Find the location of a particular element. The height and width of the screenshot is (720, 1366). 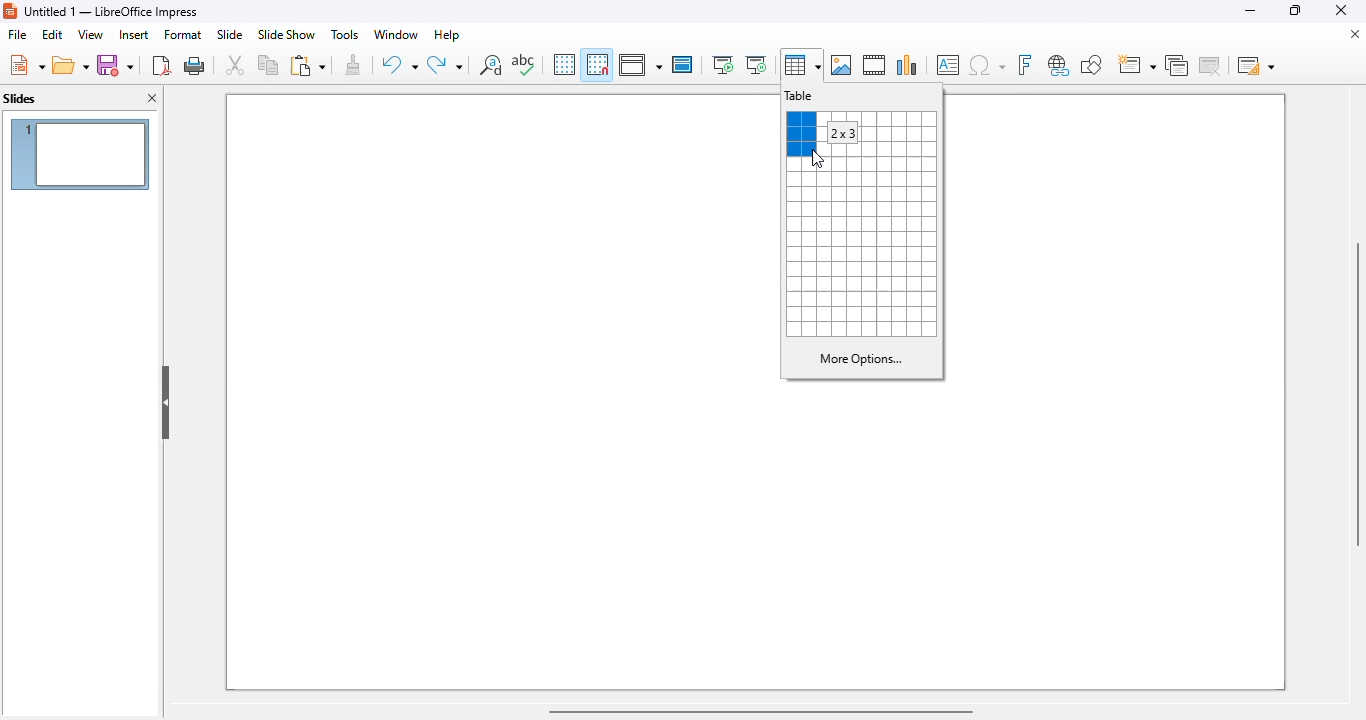

insert image is located at coordinates (842, 65).